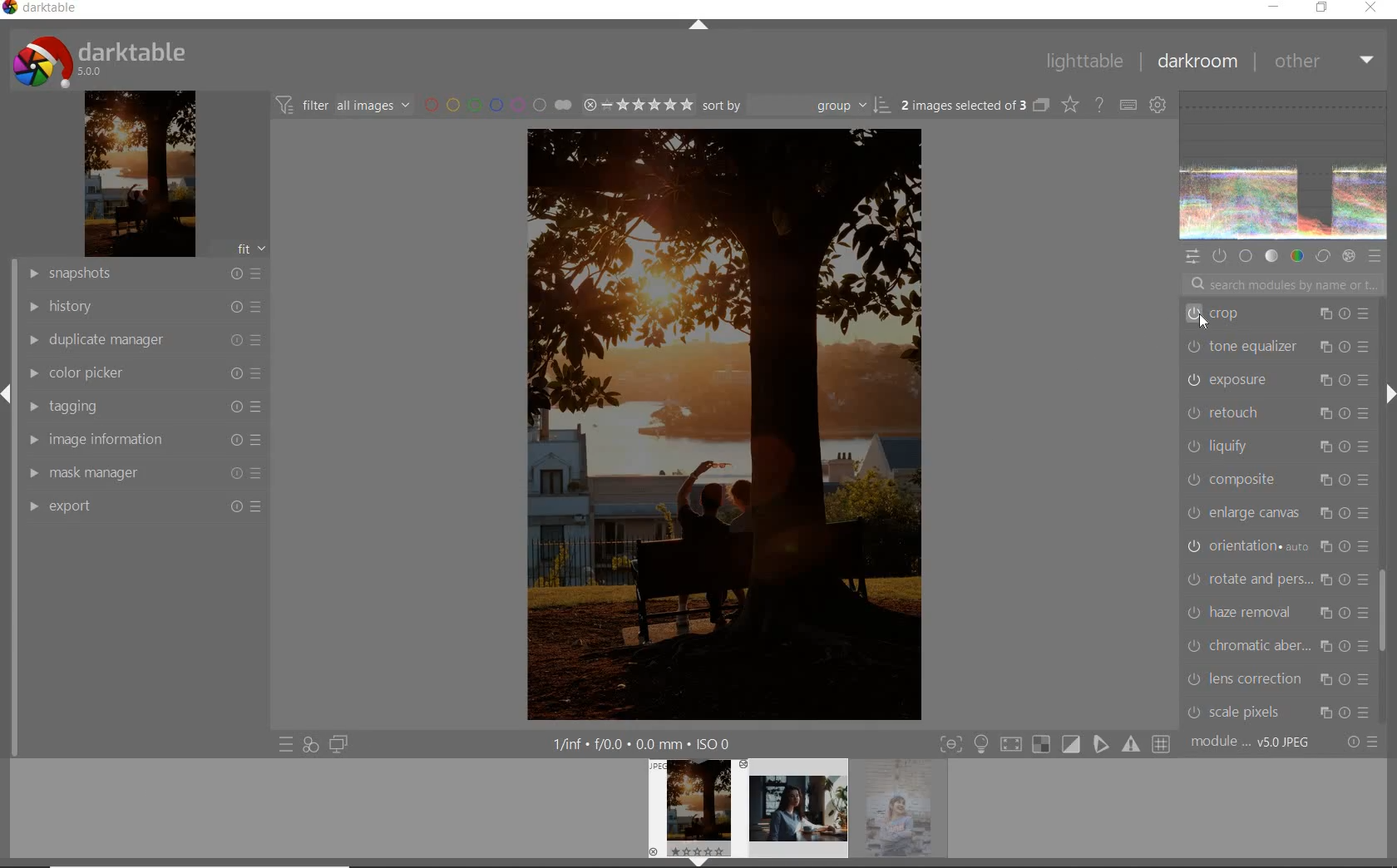 Image resolution: width=1397 pixels, height=868 pixels. I want to click on retouch, so click(1276, 411).